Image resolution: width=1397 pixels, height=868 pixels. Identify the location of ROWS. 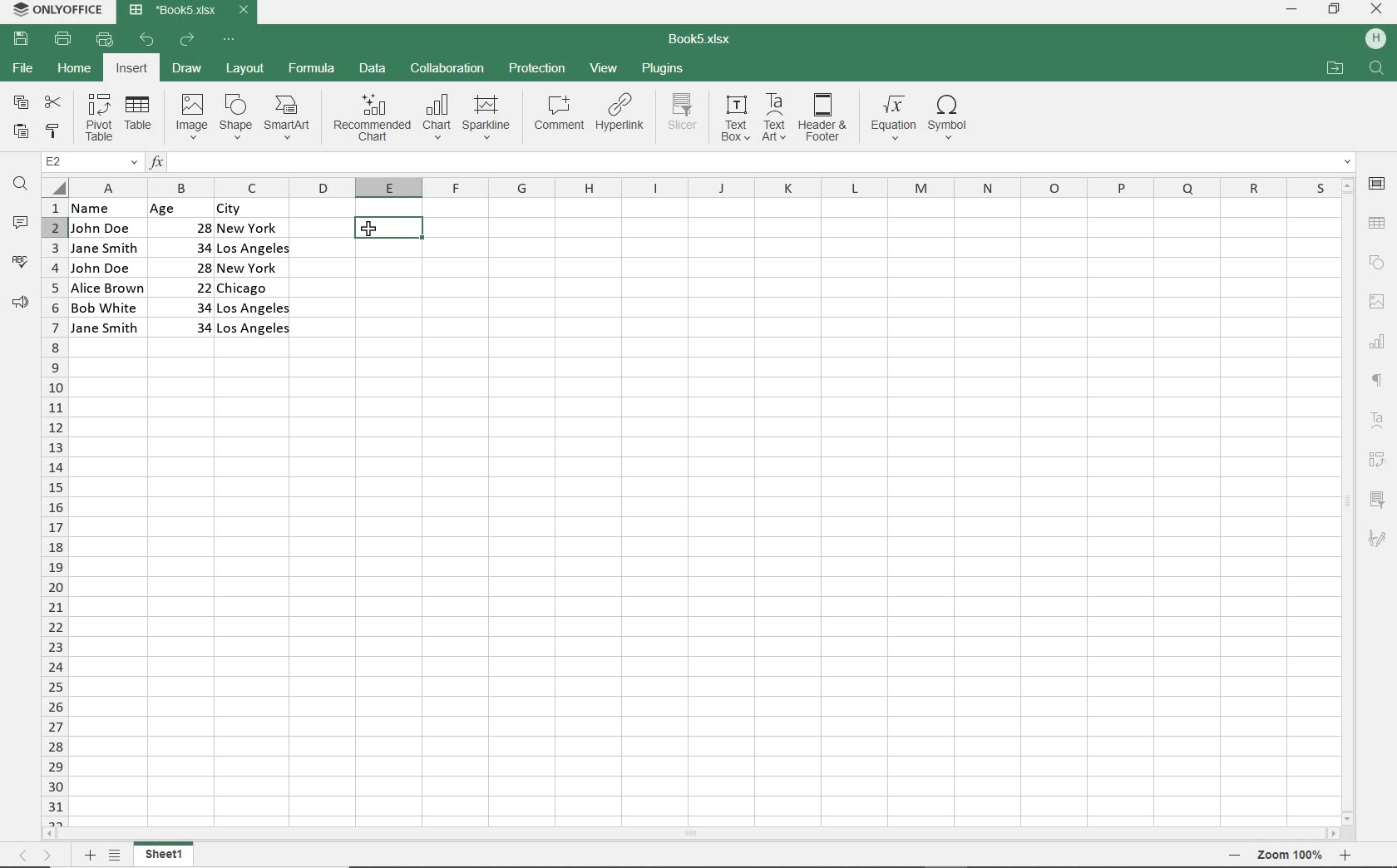
(52, 510).